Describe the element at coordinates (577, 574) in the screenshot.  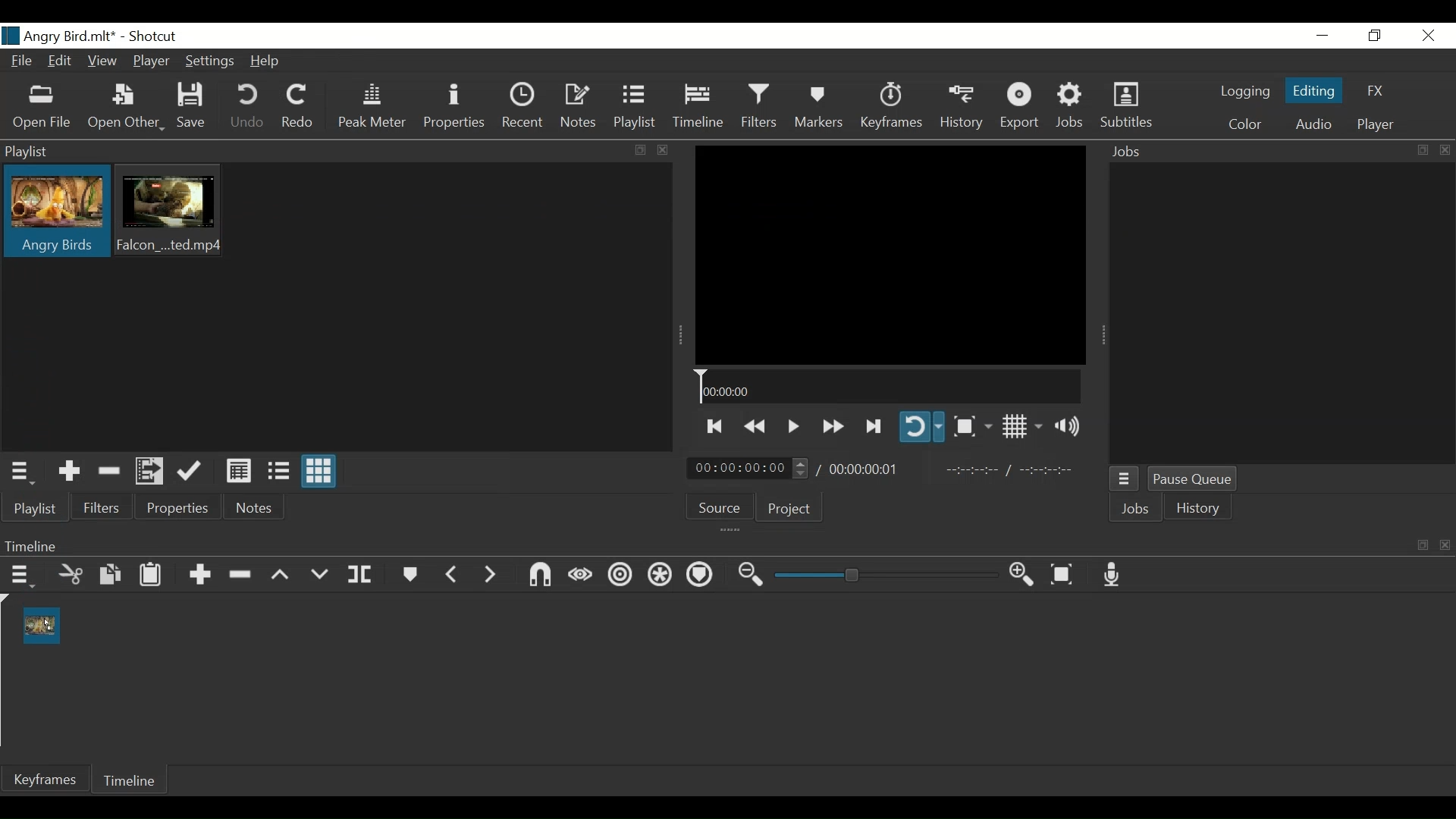
I see `Scrub while dragging` at that location.